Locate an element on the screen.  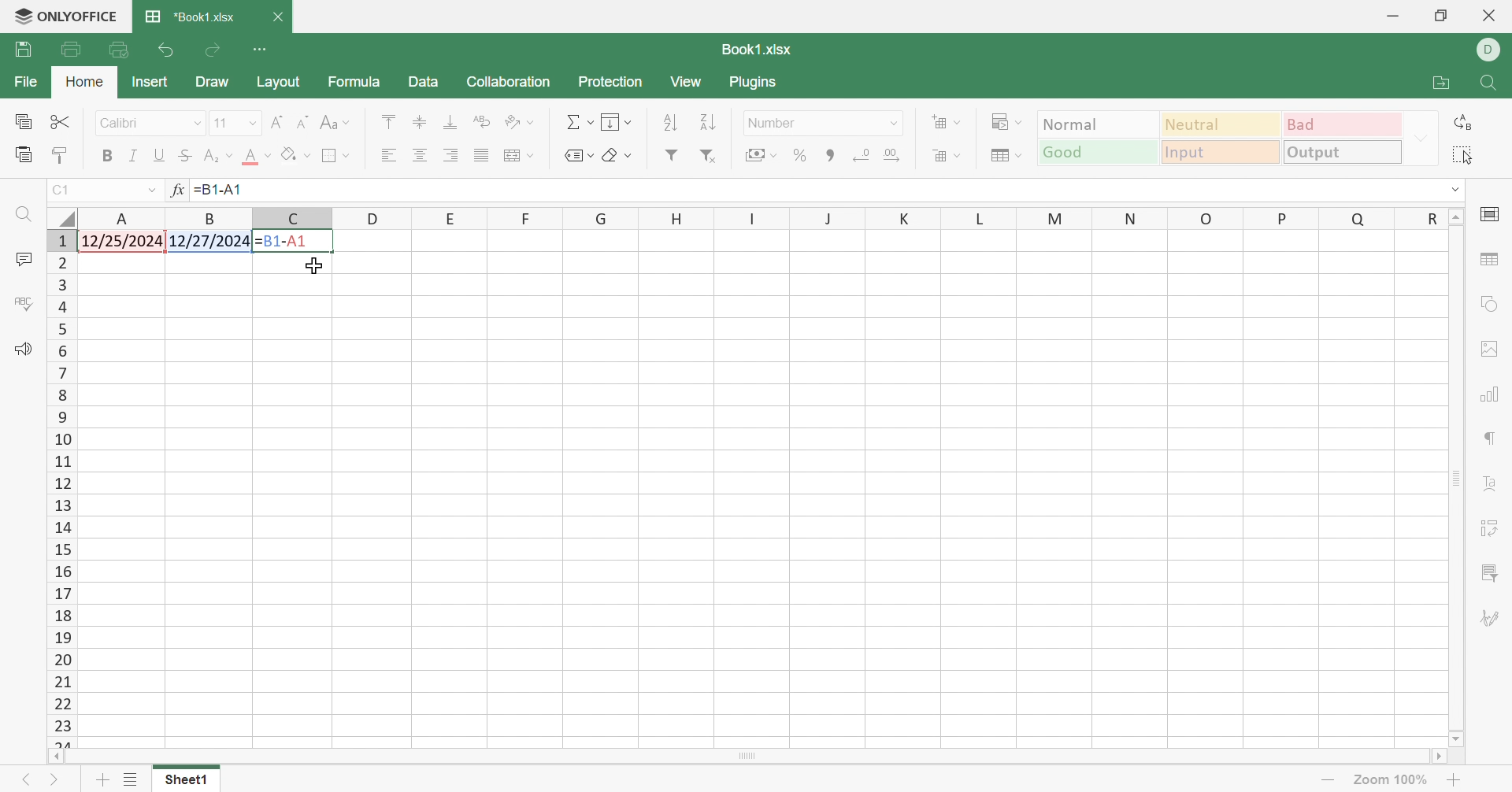
Bold is located at coordinates (109, 157).